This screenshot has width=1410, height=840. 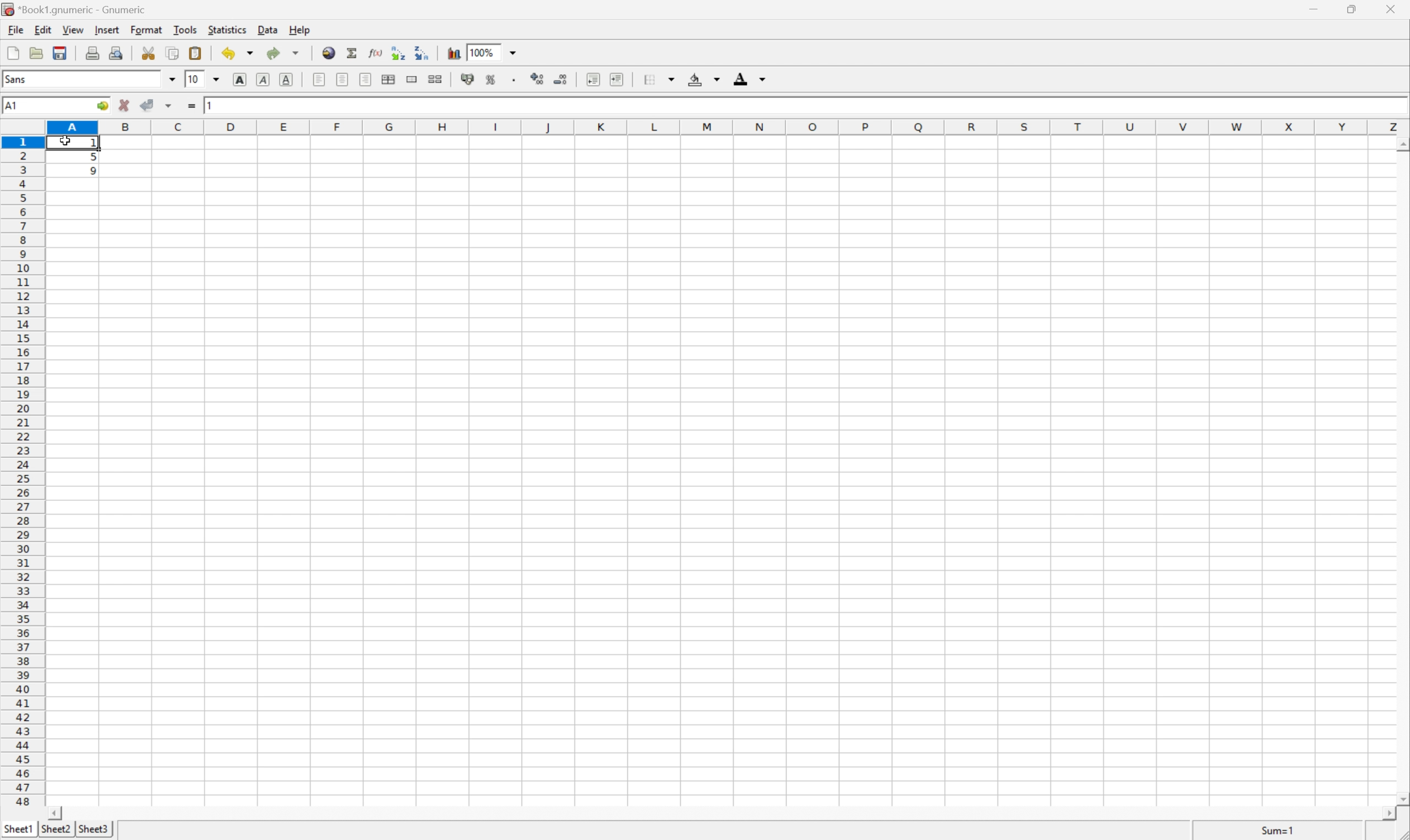 What do you see at coordinates (96, 144) in the screenshot?
I see `1` at bounding box center [96, 144].